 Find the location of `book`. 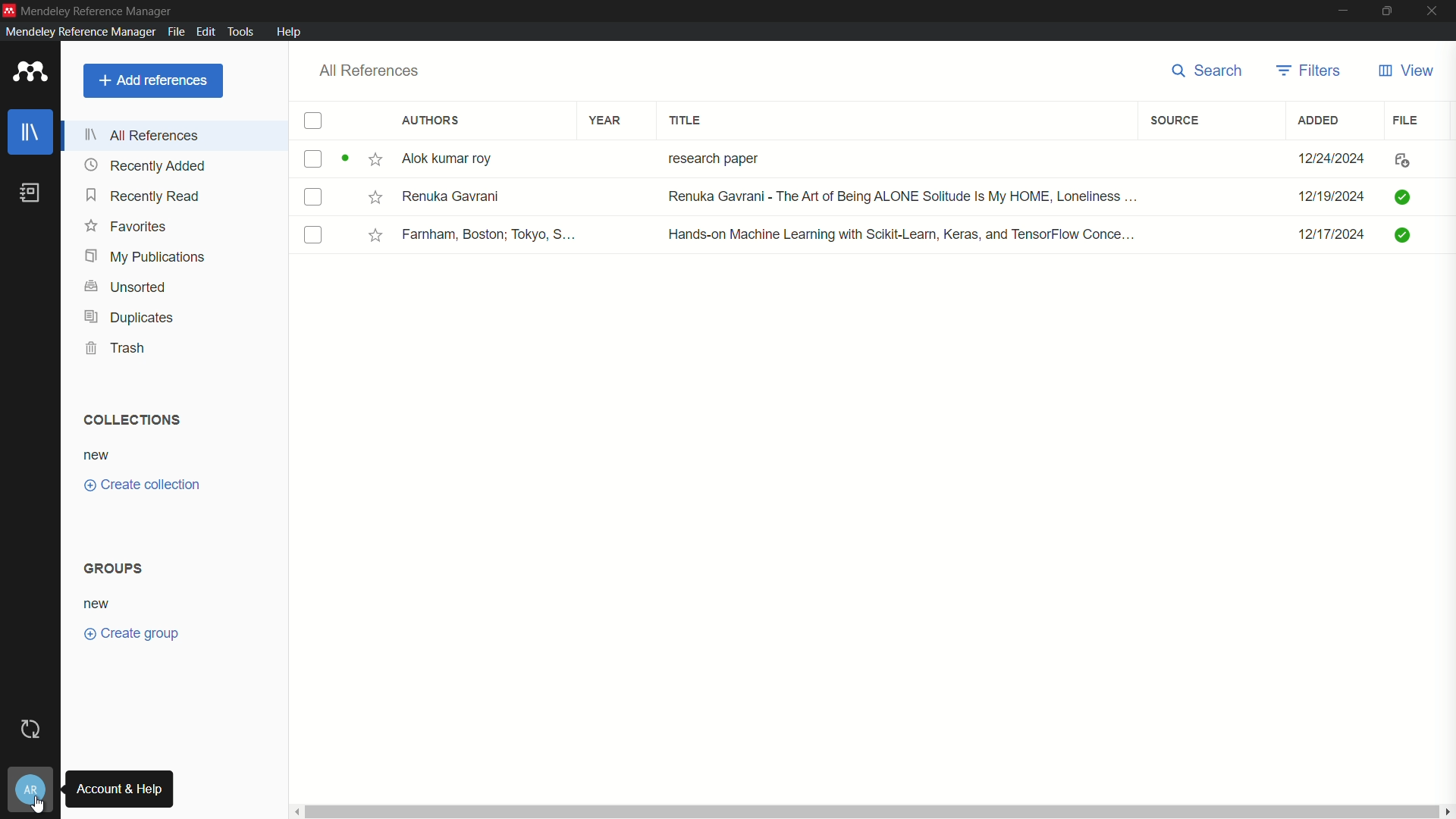

book is located at coordinates (31, 193).